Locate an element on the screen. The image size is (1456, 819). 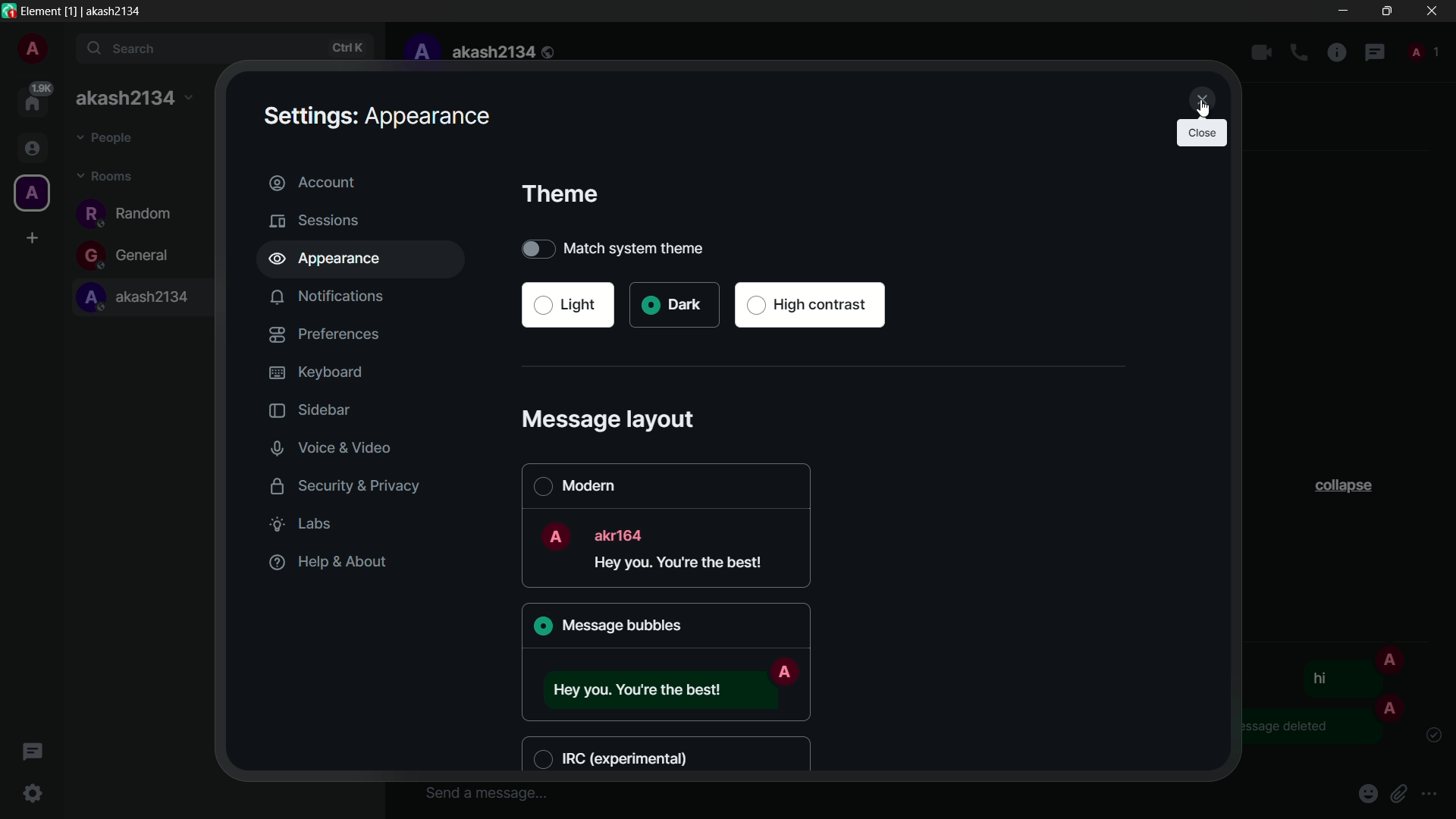
Element is located at coordinates (41, 10).